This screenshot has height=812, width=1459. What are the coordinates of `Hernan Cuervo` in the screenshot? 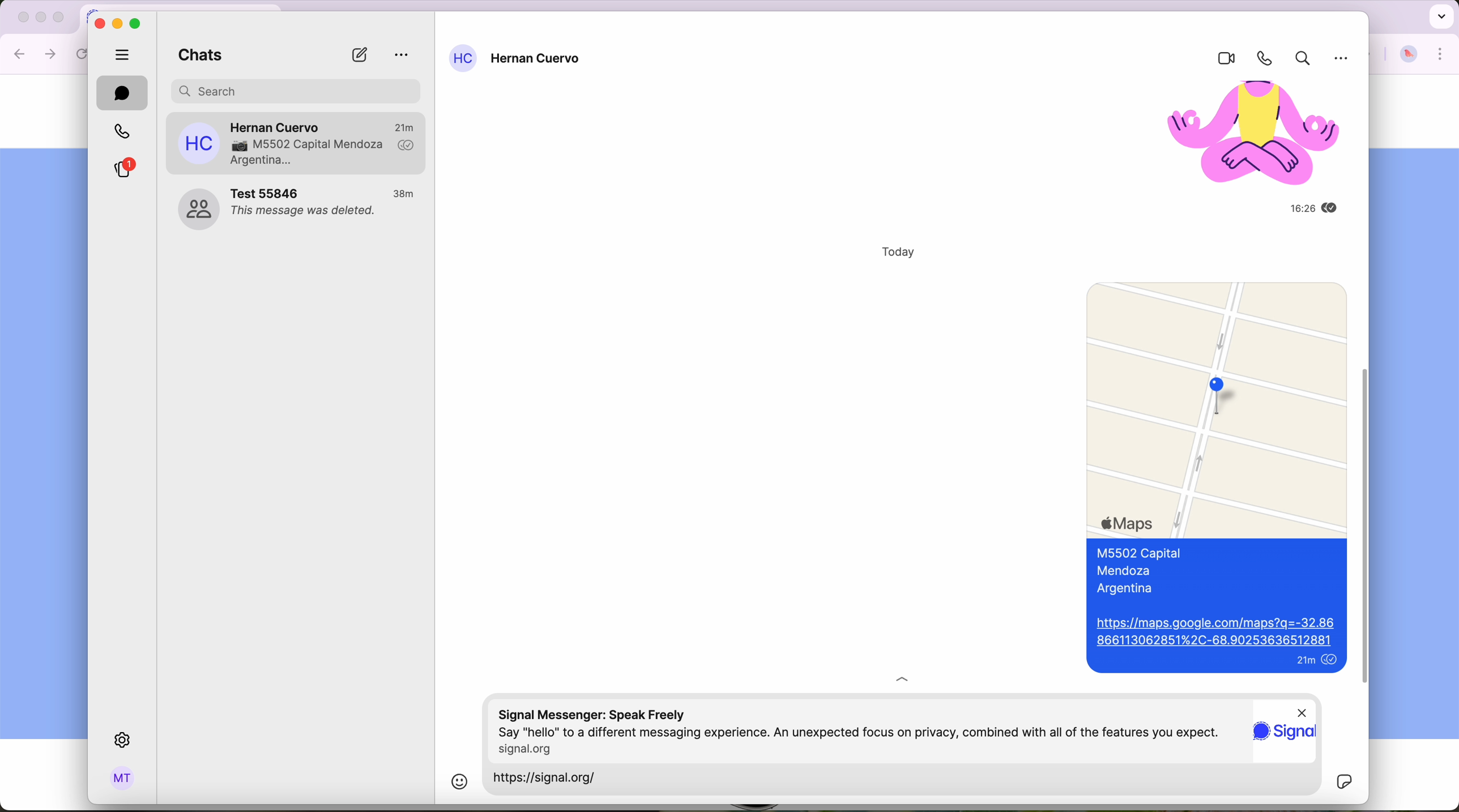 It's located at (276, 124).